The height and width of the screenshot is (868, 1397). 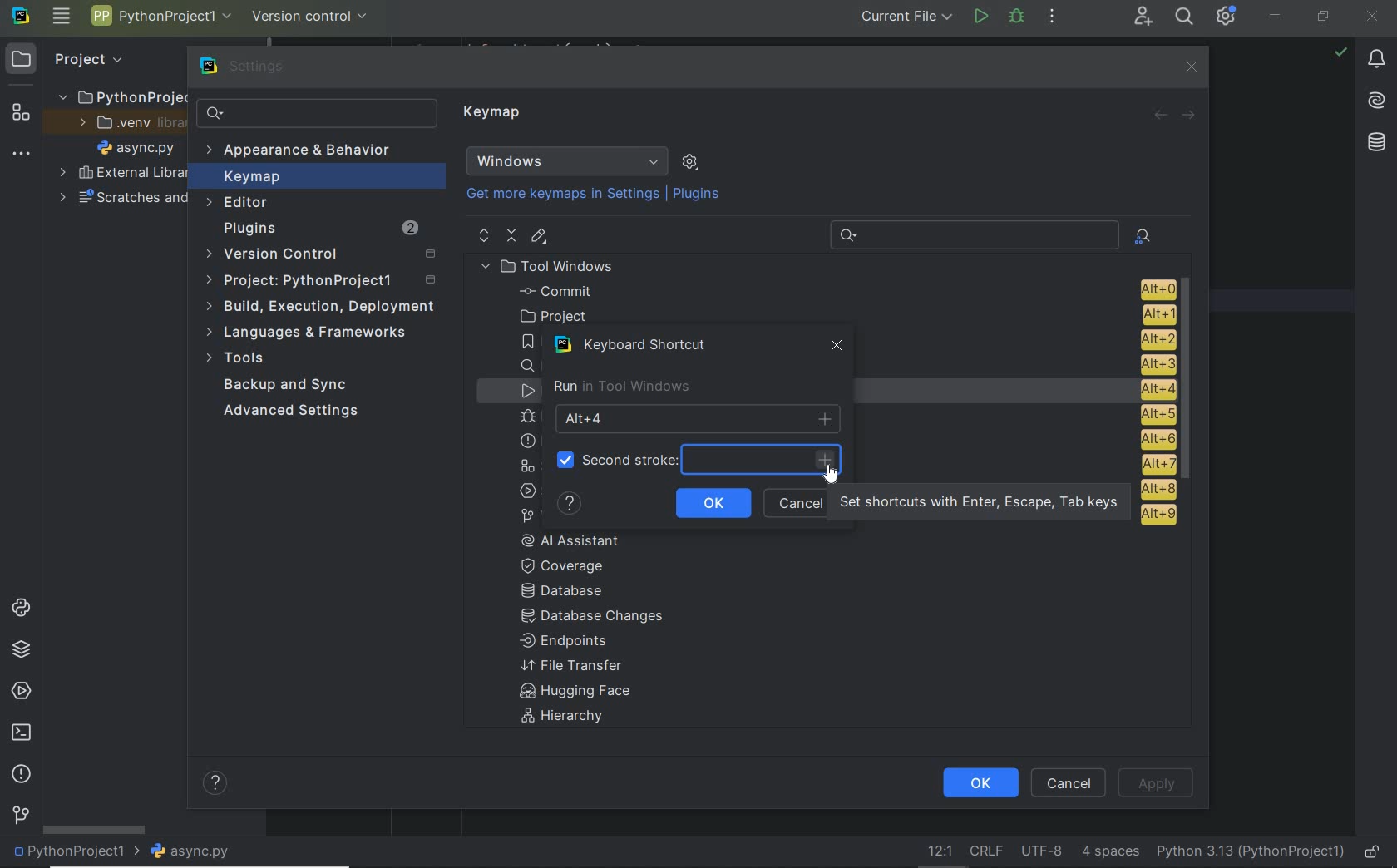 What do you see at coordinates (594, 618) in the screenshot?
I see `Database changes` at bounding box center [594, 618].